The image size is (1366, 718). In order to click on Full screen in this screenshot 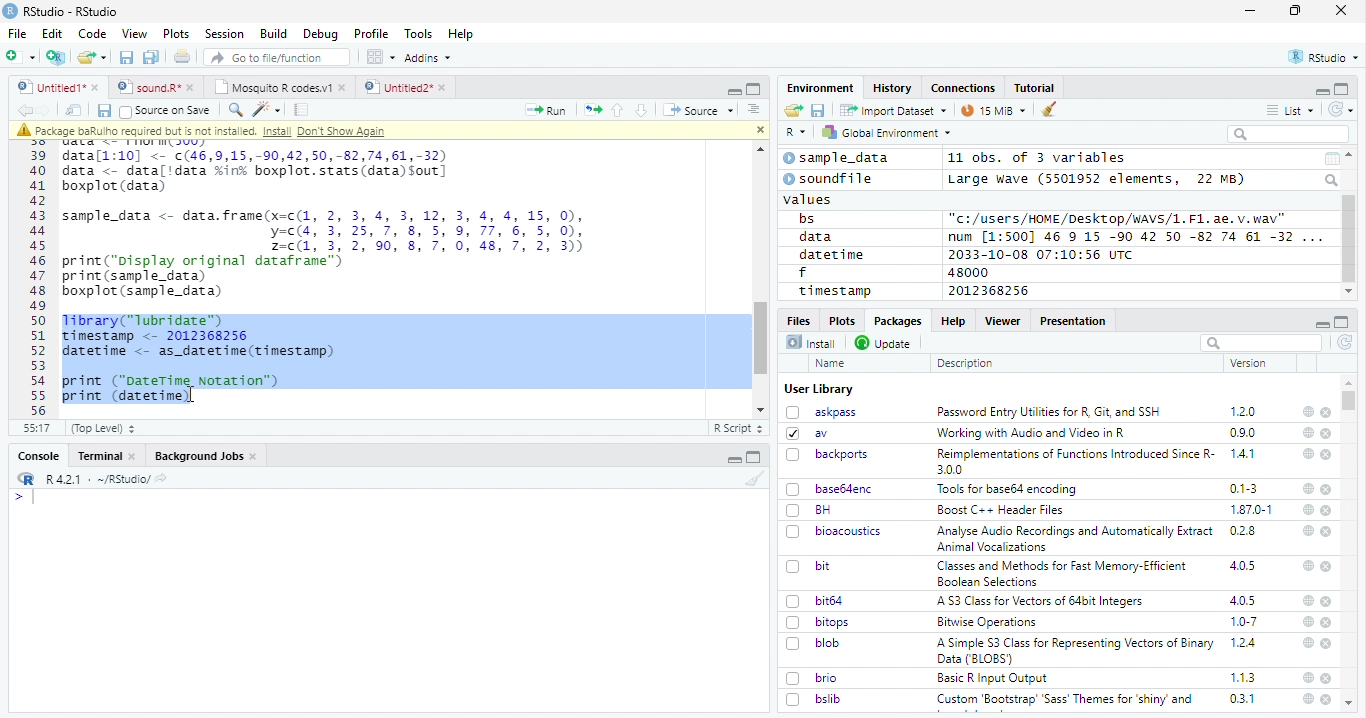, I will do `click(754, 88)`.